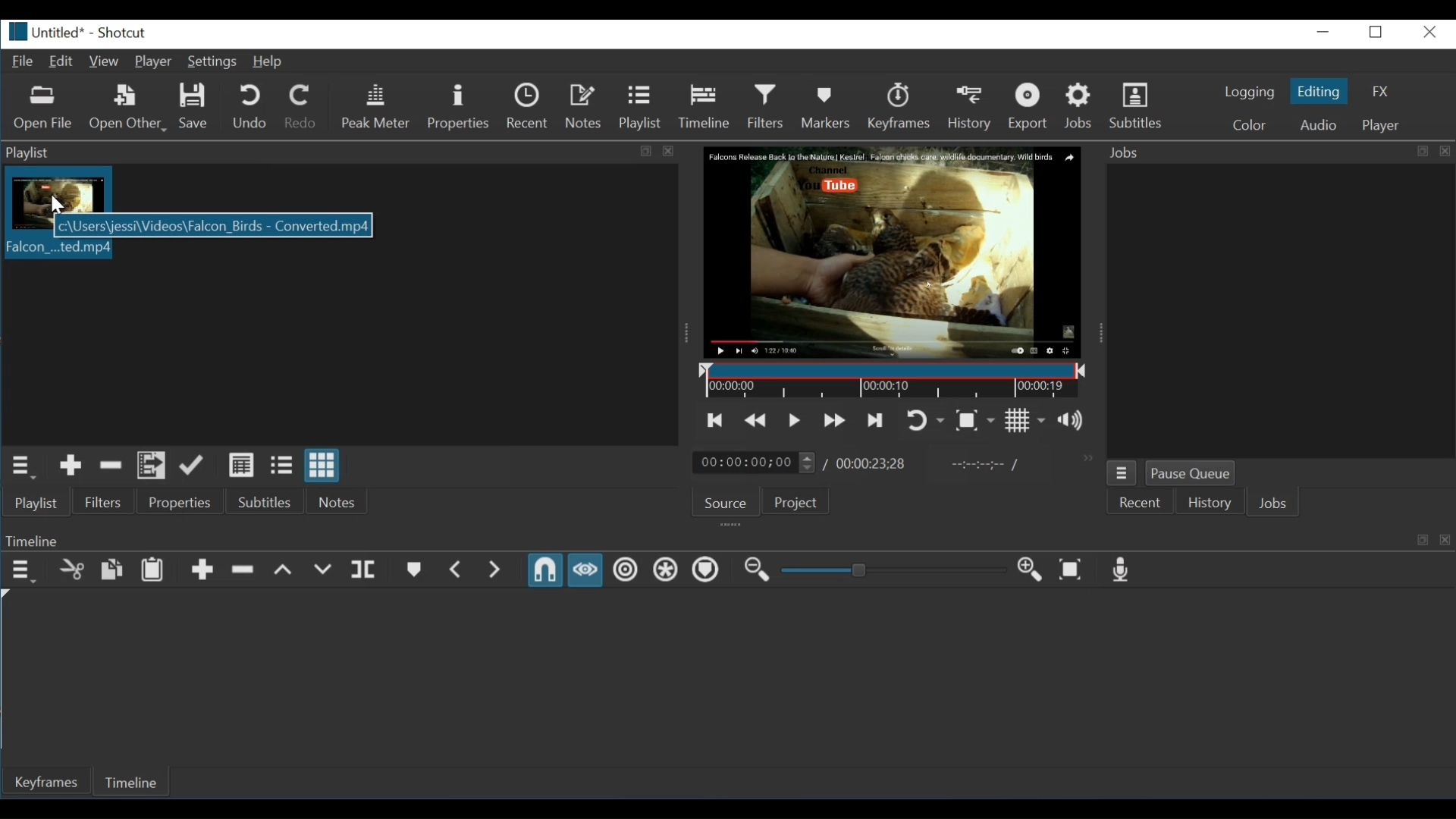 The height and width of the screenshot is (819, 1456). Describe the element at coordinates (716, 421) in the screenshot. I see `Skip to the previous point` at that location.